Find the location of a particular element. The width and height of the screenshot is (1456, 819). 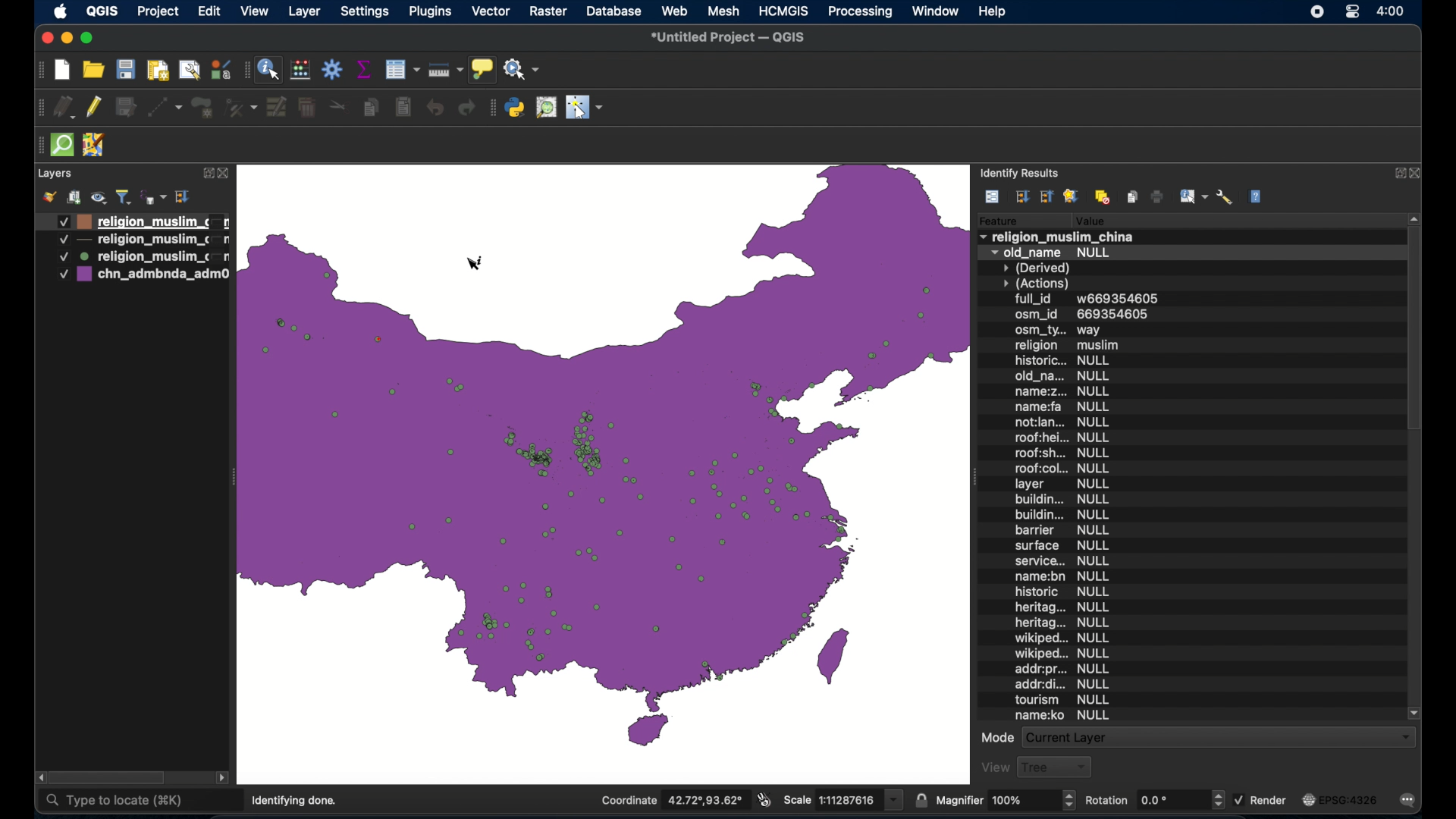

vertex tool is located at coordinates (239, 106).